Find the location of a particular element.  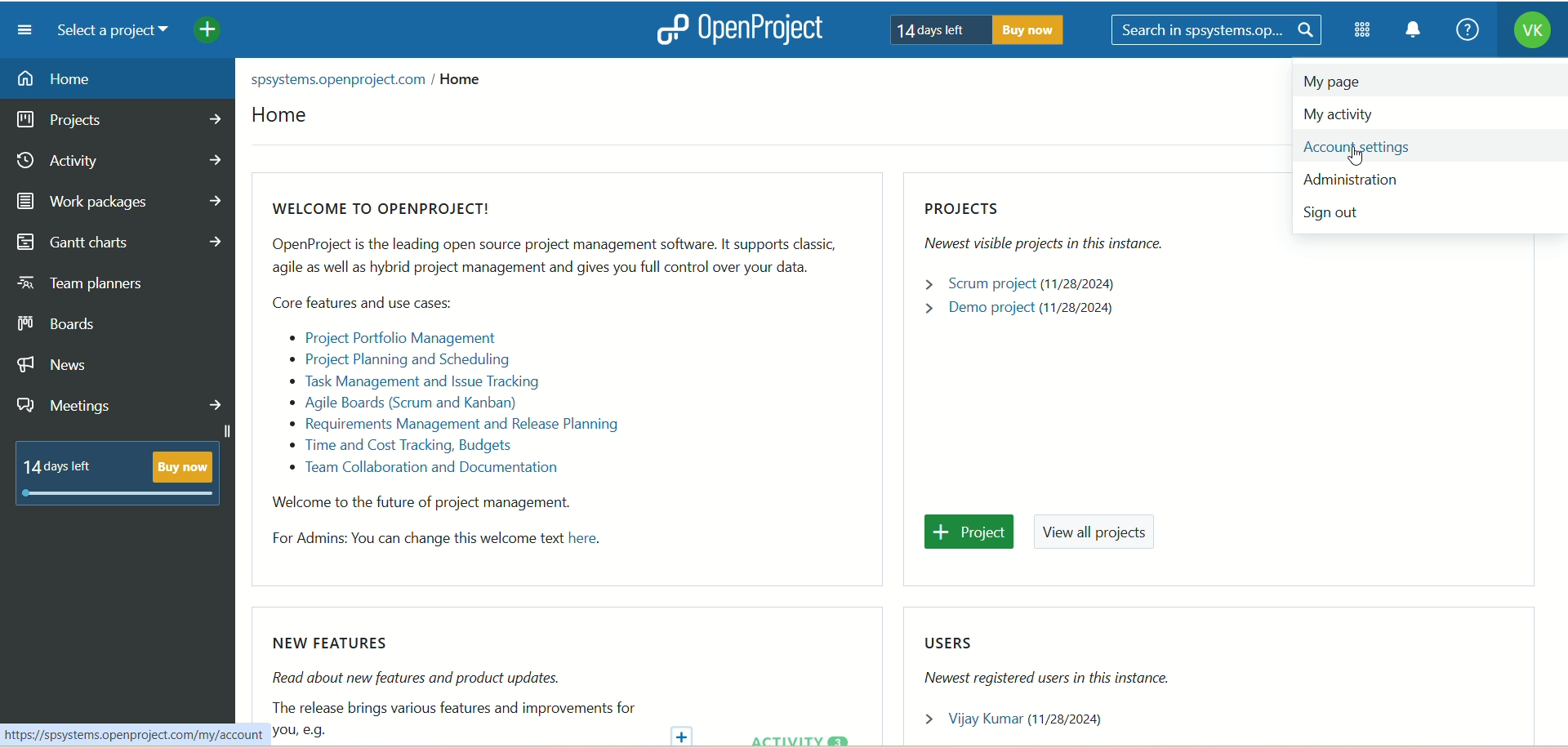

administration is located at coordinates (1365, 184).